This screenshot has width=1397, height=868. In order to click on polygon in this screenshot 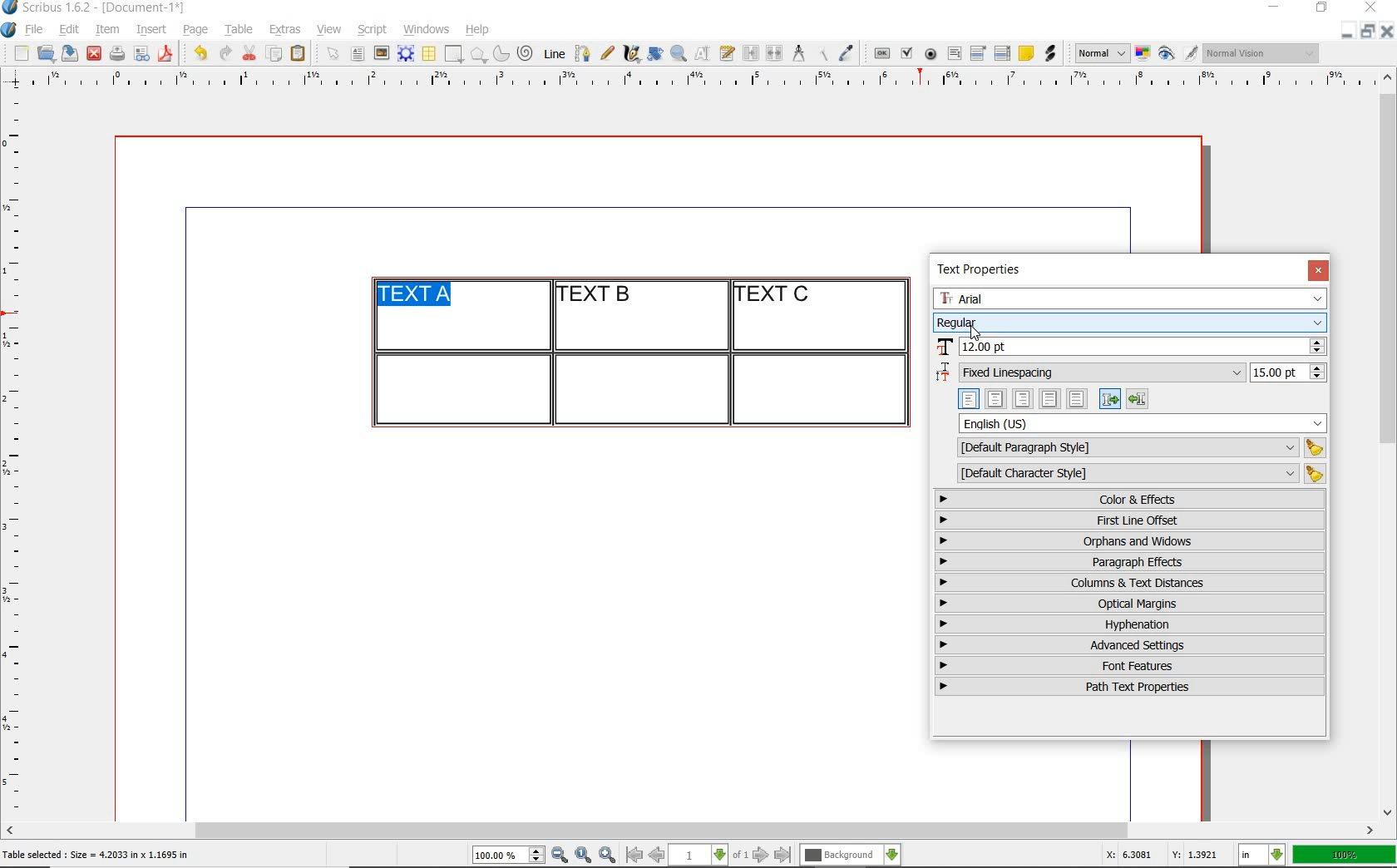, I will do `click(478, 54)`.